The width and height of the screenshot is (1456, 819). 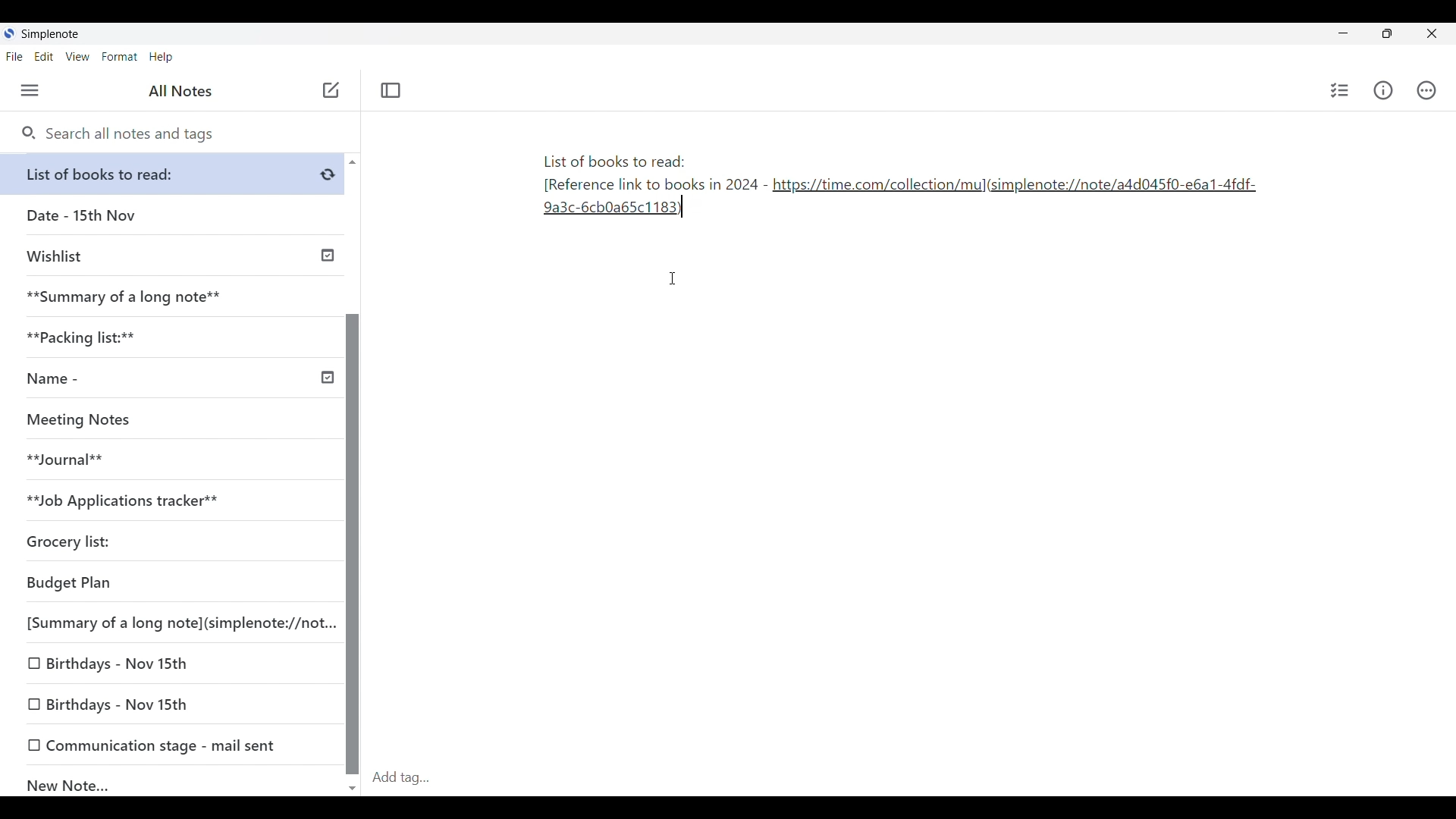 What do you see at coordinates (177, 380) in the screenshot?
I see `Name -` at bounding box center [177, 380].